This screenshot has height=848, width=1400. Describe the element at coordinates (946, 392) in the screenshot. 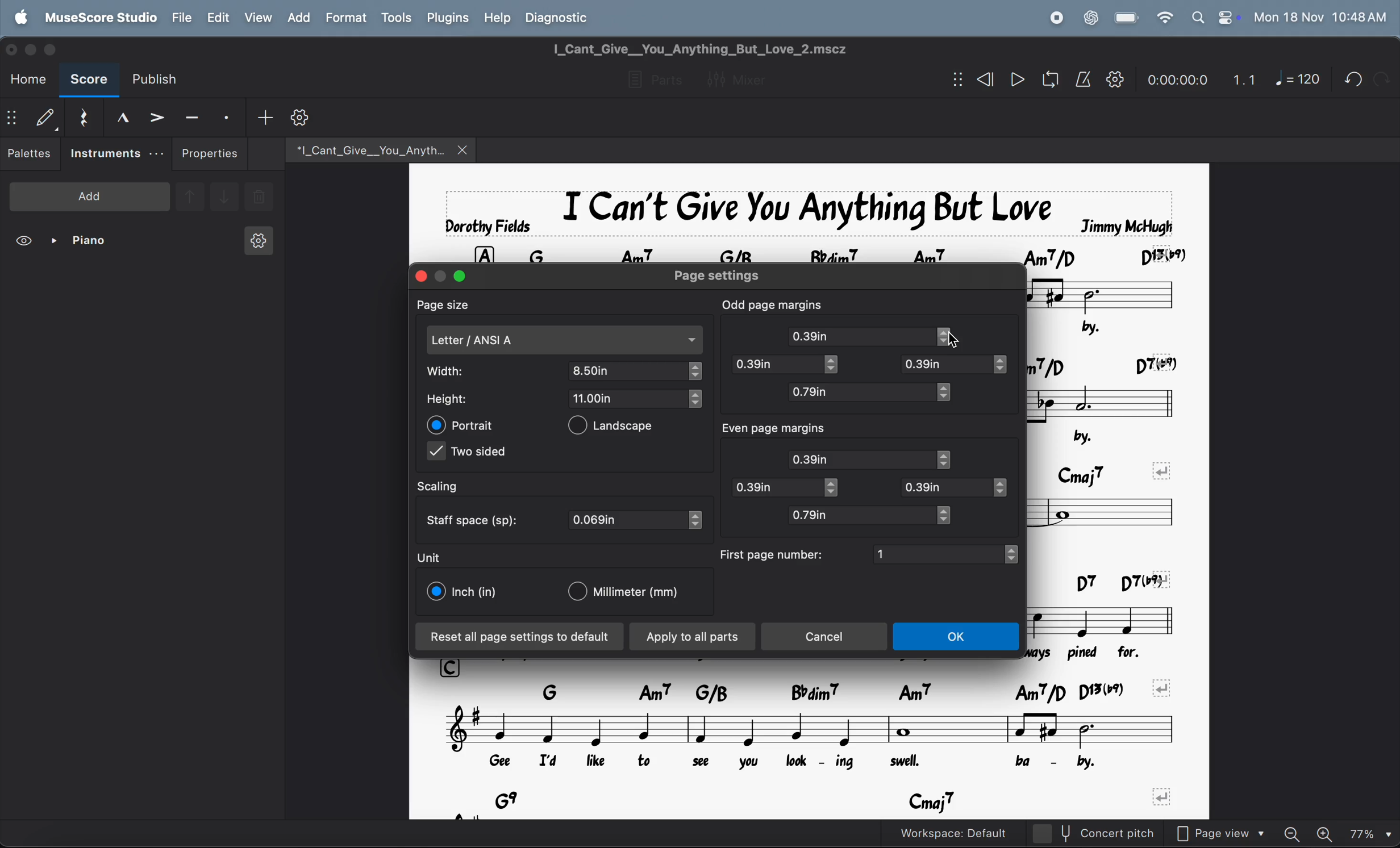

I see `toggle` at that location.